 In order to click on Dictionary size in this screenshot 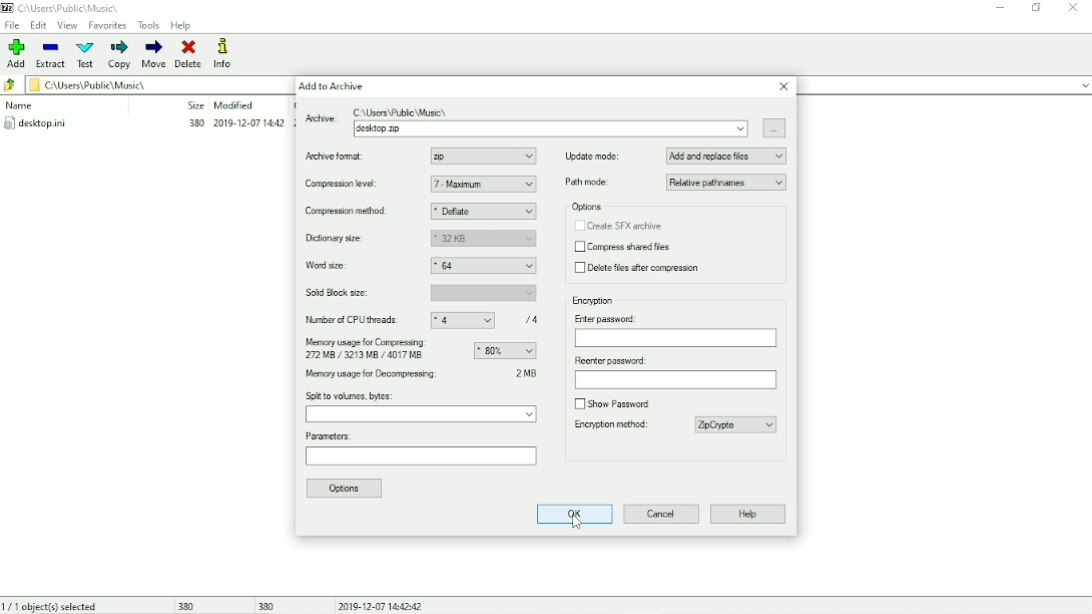, I will do `click(355, 239)`.